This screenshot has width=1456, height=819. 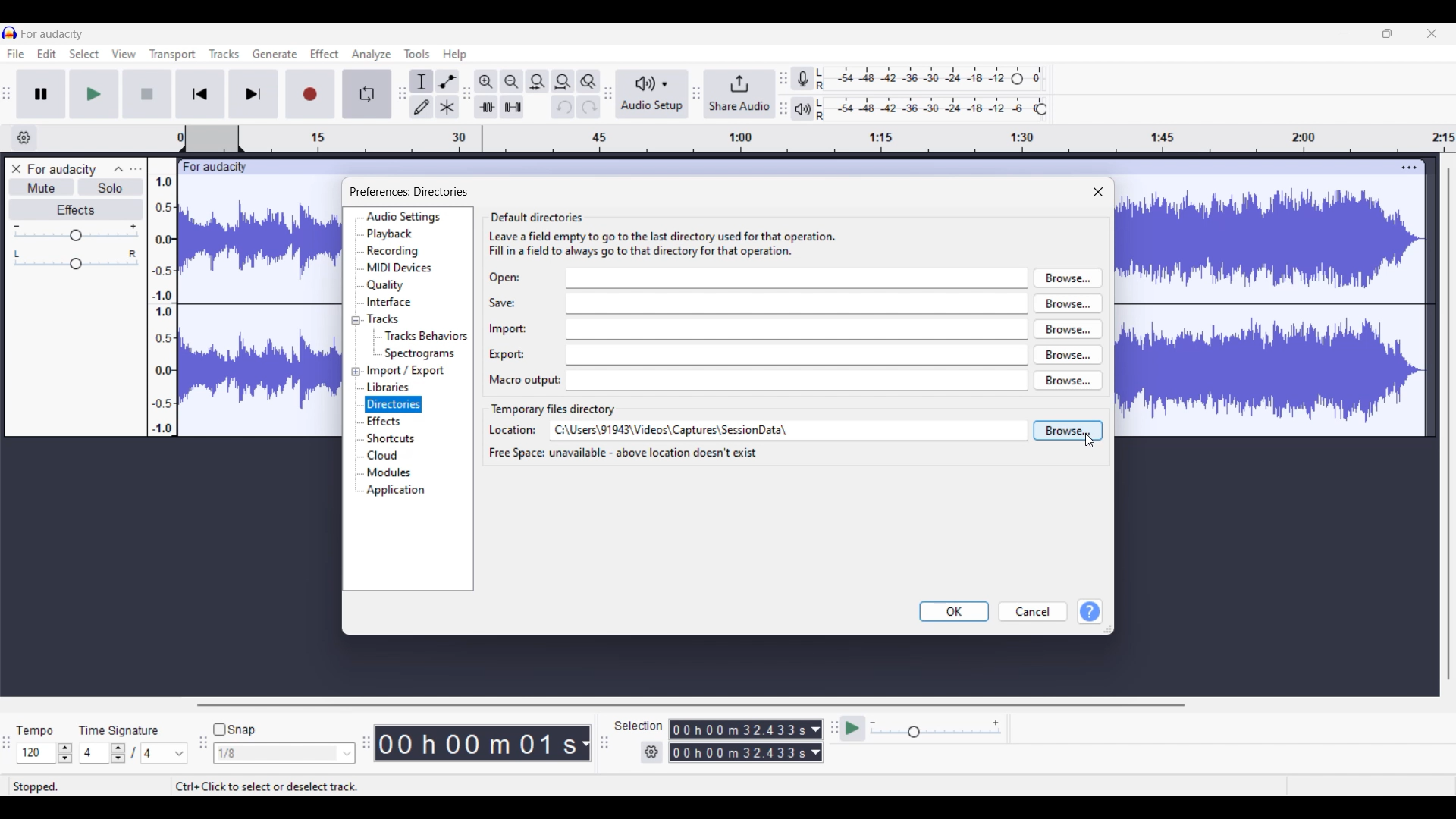 What do you see at coordinates (798, 278) in the screenshot?
I see `open input box` at bounding box center [798, 278].